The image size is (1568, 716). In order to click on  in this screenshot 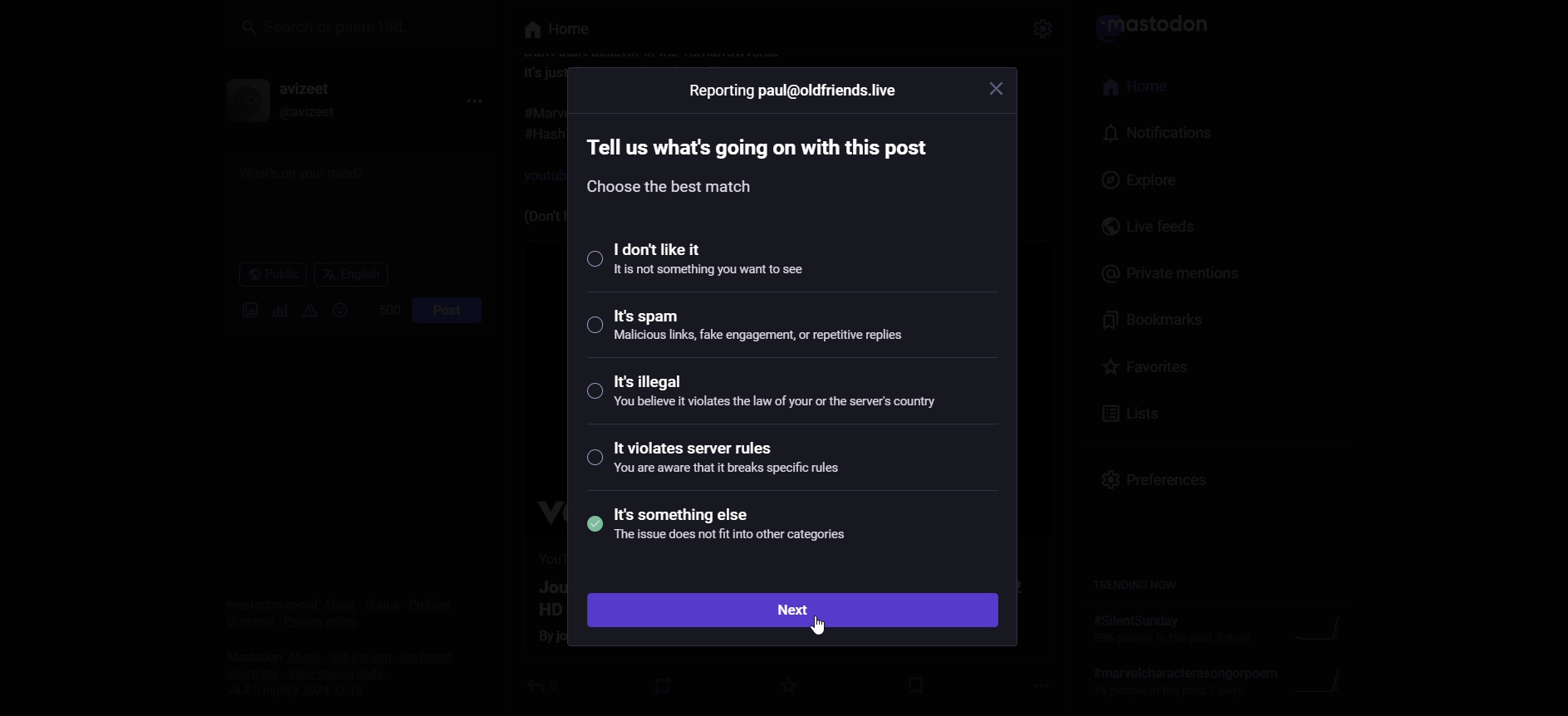, I will do `click(580, 31)`.